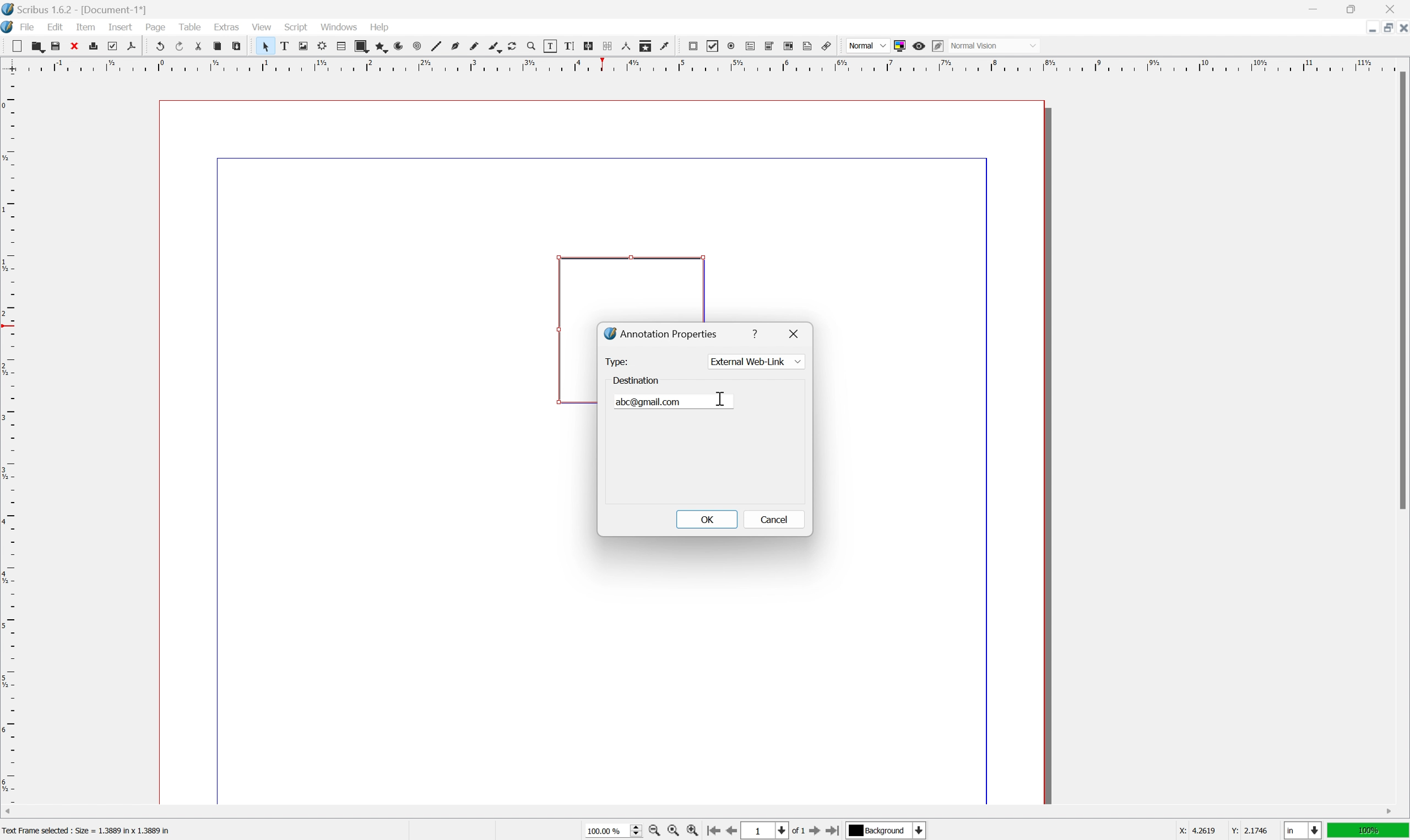 This screenshot has width=1410, height=840. What do you see at coordinates (1391, 9) in the screenshot?
I see `close` at bounding box center [1391, 9].